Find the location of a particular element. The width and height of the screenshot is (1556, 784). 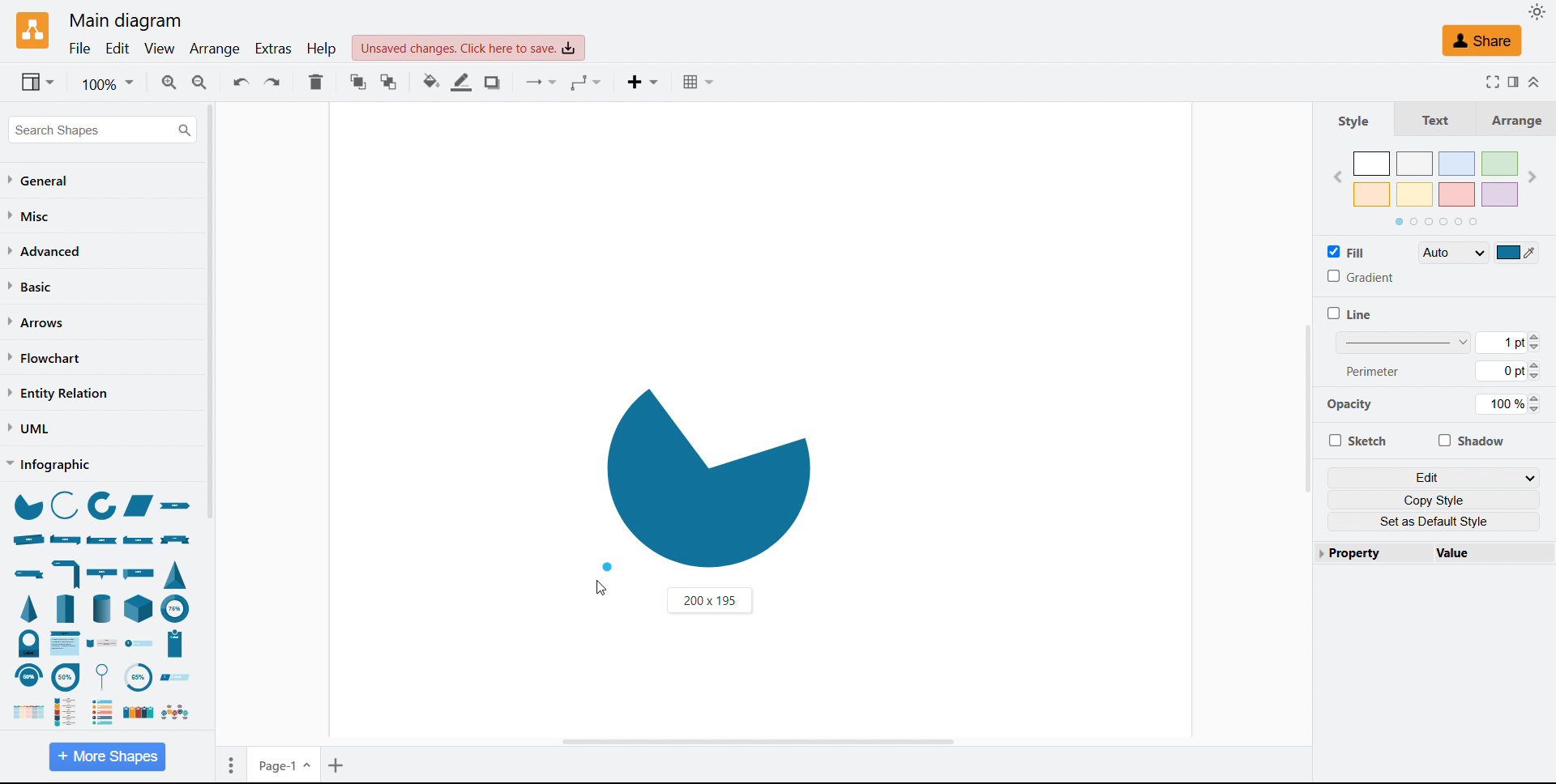

Arrange  is located at coordinates (216, 50).